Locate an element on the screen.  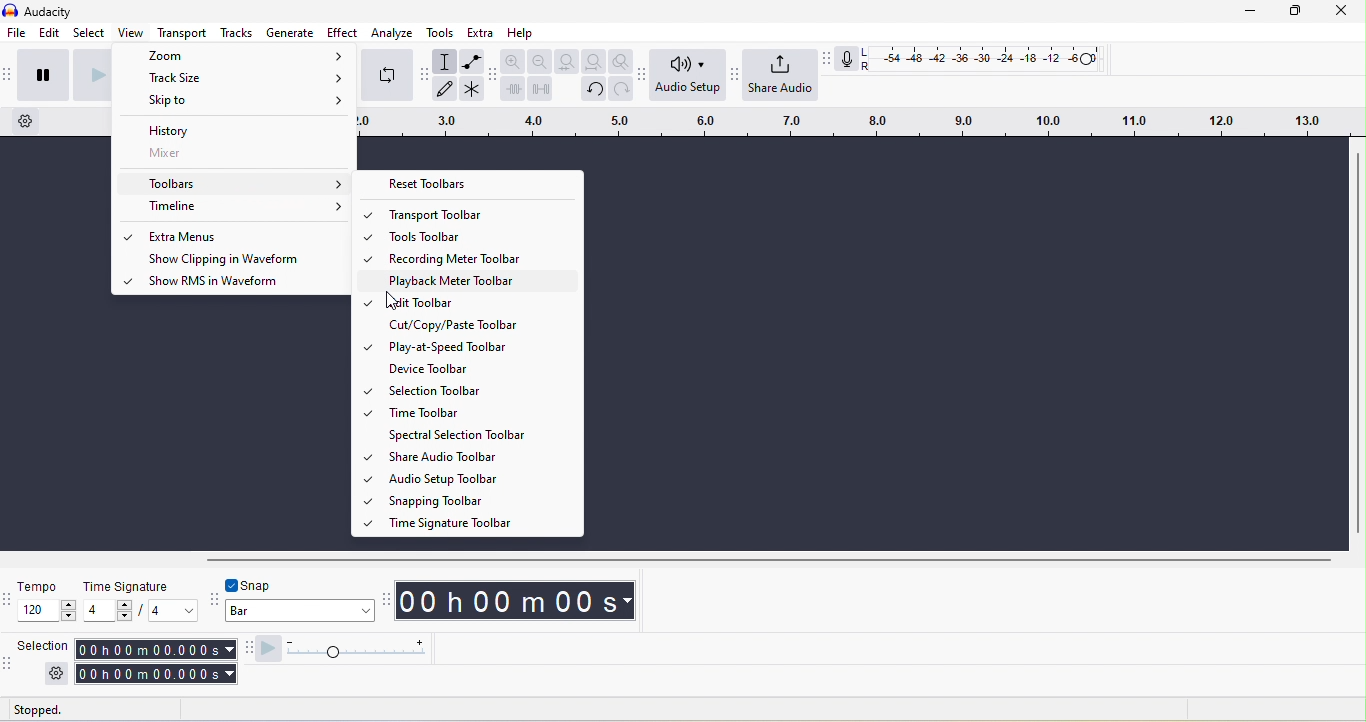
recording meter toolbar is located at coordinates (826, 59).